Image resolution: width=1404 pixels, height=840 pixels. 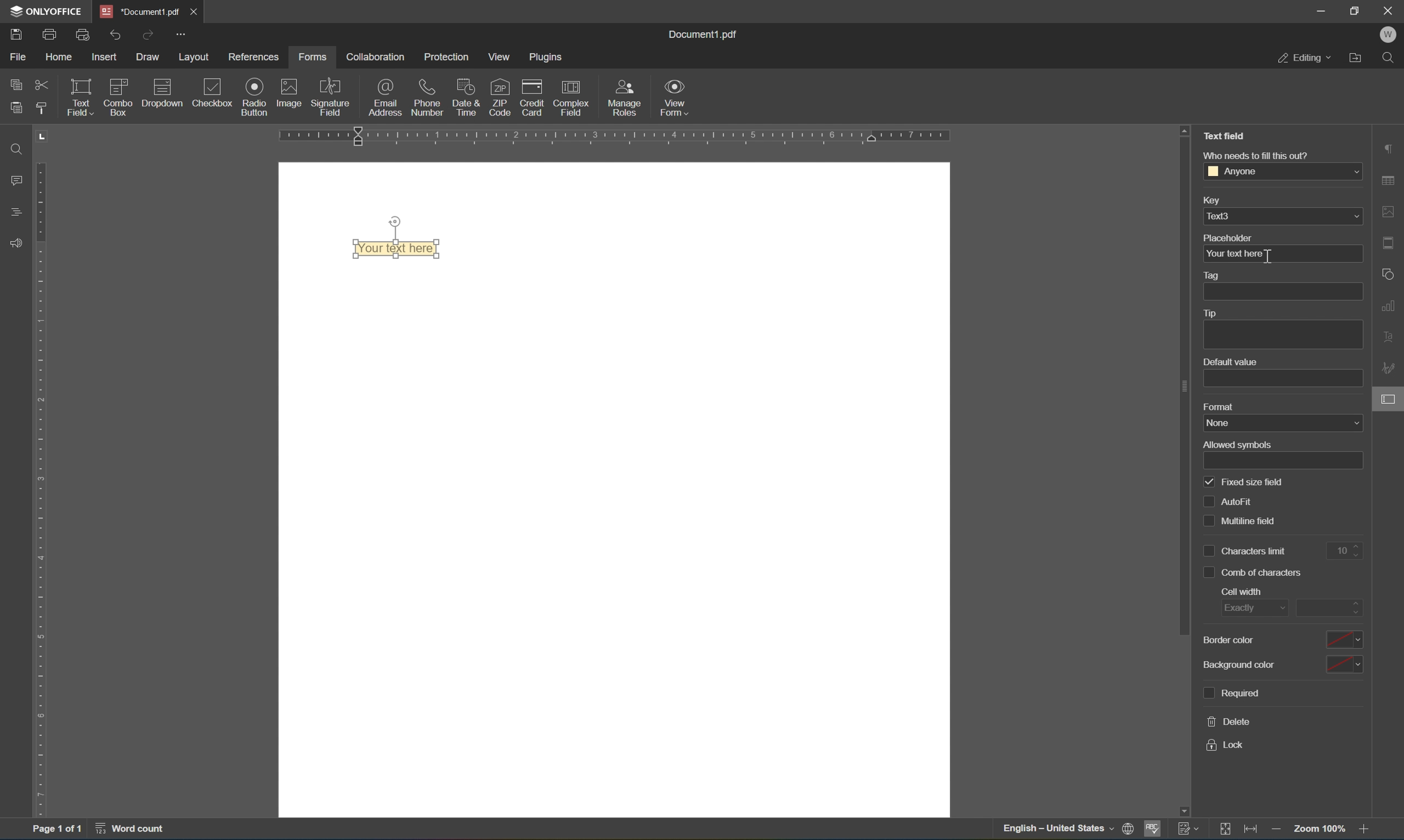 I want to click on copy style, so click(x=41, y=108).